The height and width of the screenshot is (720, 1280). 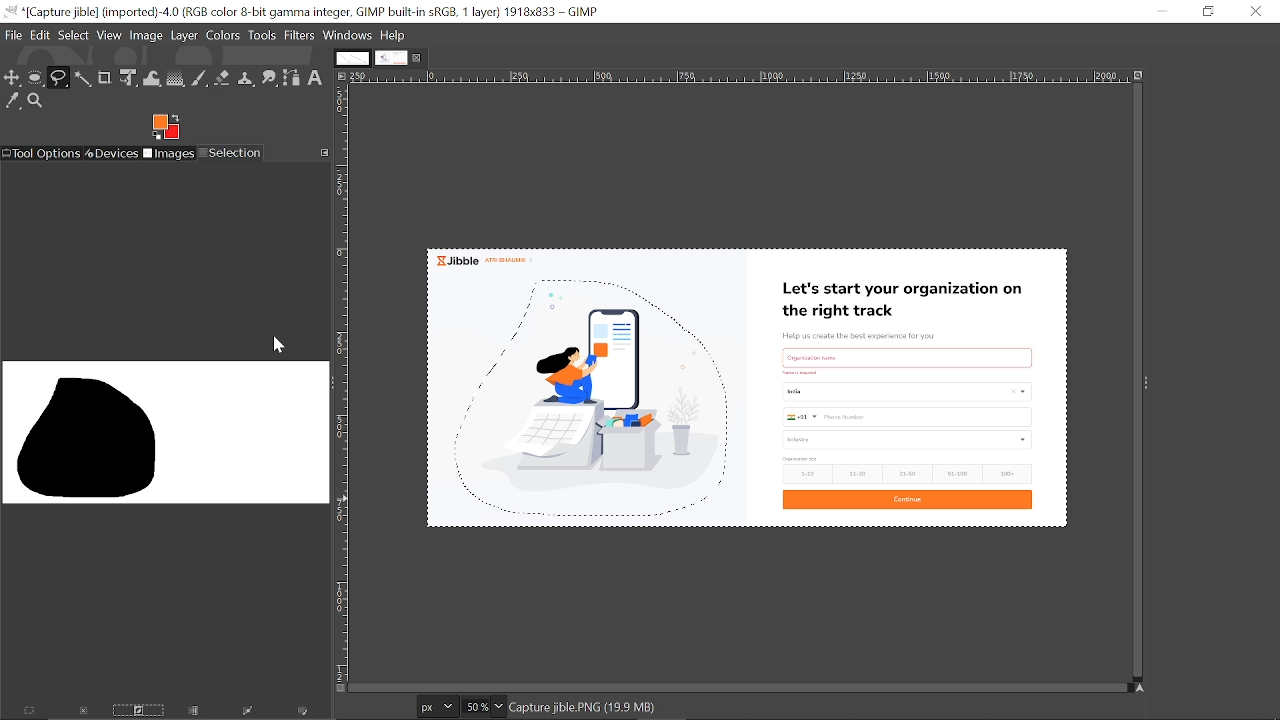 What do you see at coordinates (348, 35) in the screenshot?
I see `Windows` at bounding box center [348, 35].